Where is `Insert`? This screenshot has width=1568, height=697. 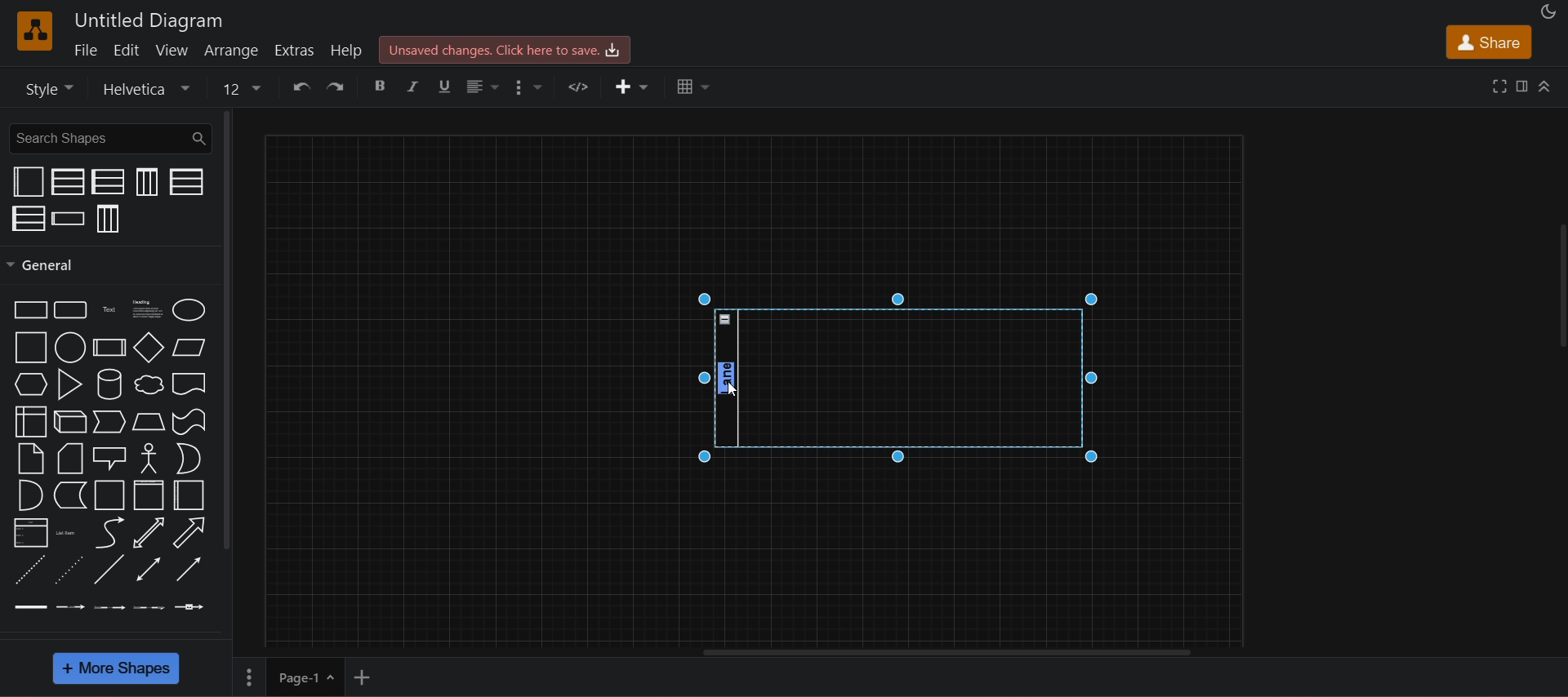
Insert is located at coordinates (632, 87).